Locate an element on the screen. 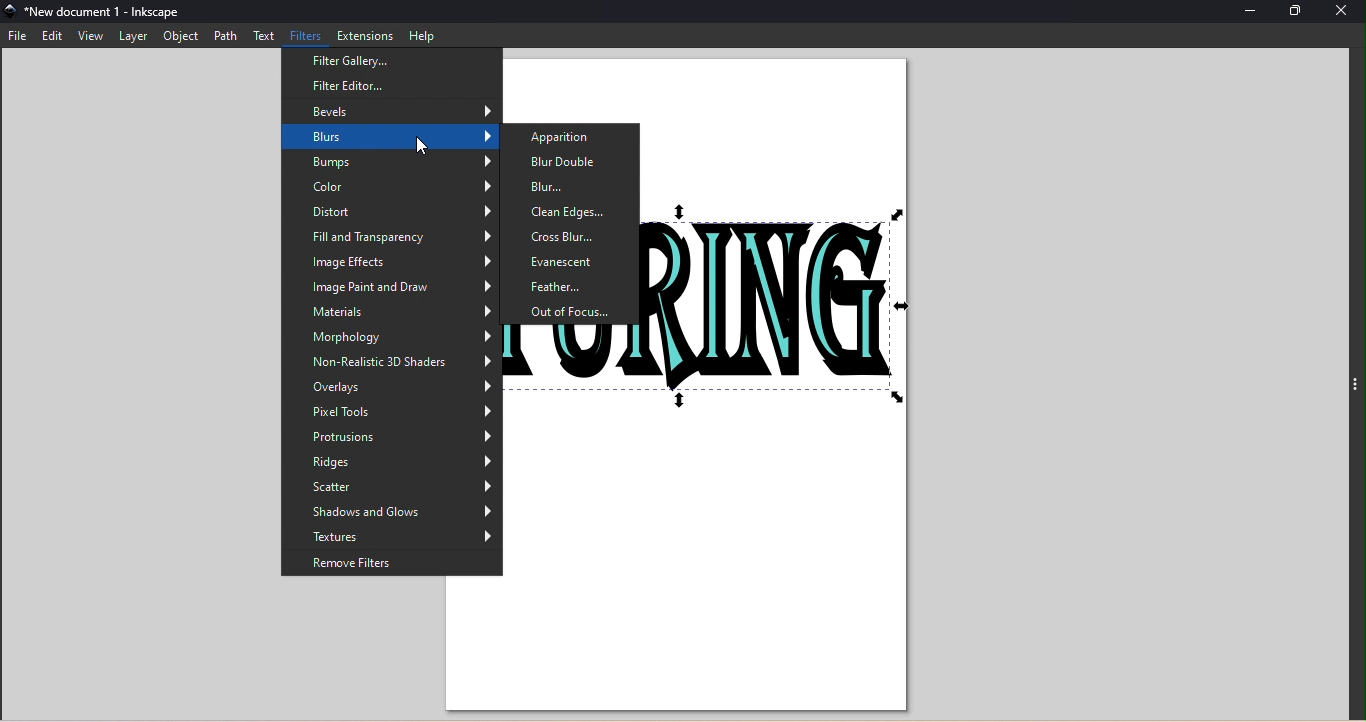  Cross blur... is located at coordinates (573, 238).